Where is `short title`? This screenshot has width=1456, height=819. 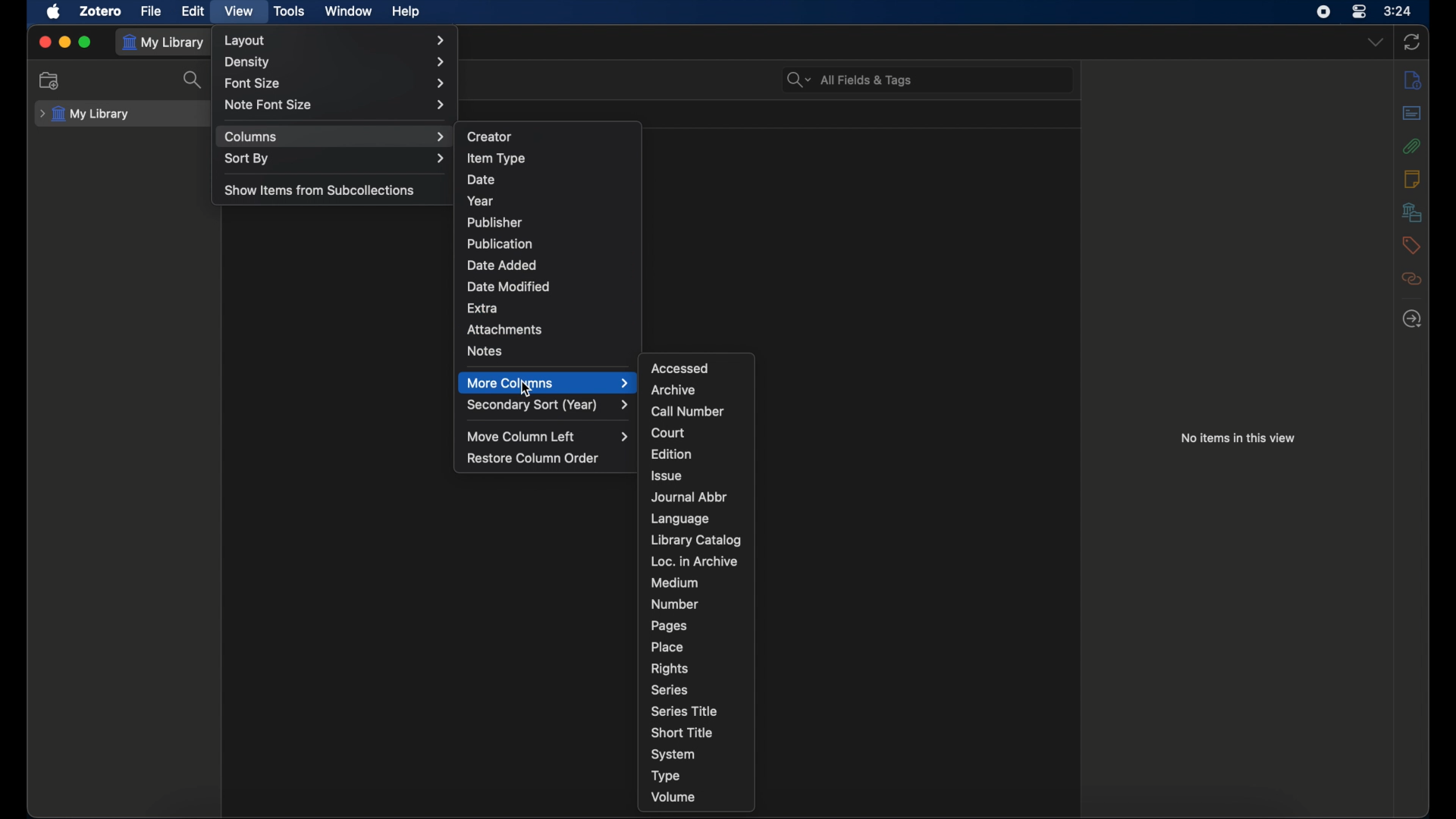
short title is located at coordinates (682, 733).